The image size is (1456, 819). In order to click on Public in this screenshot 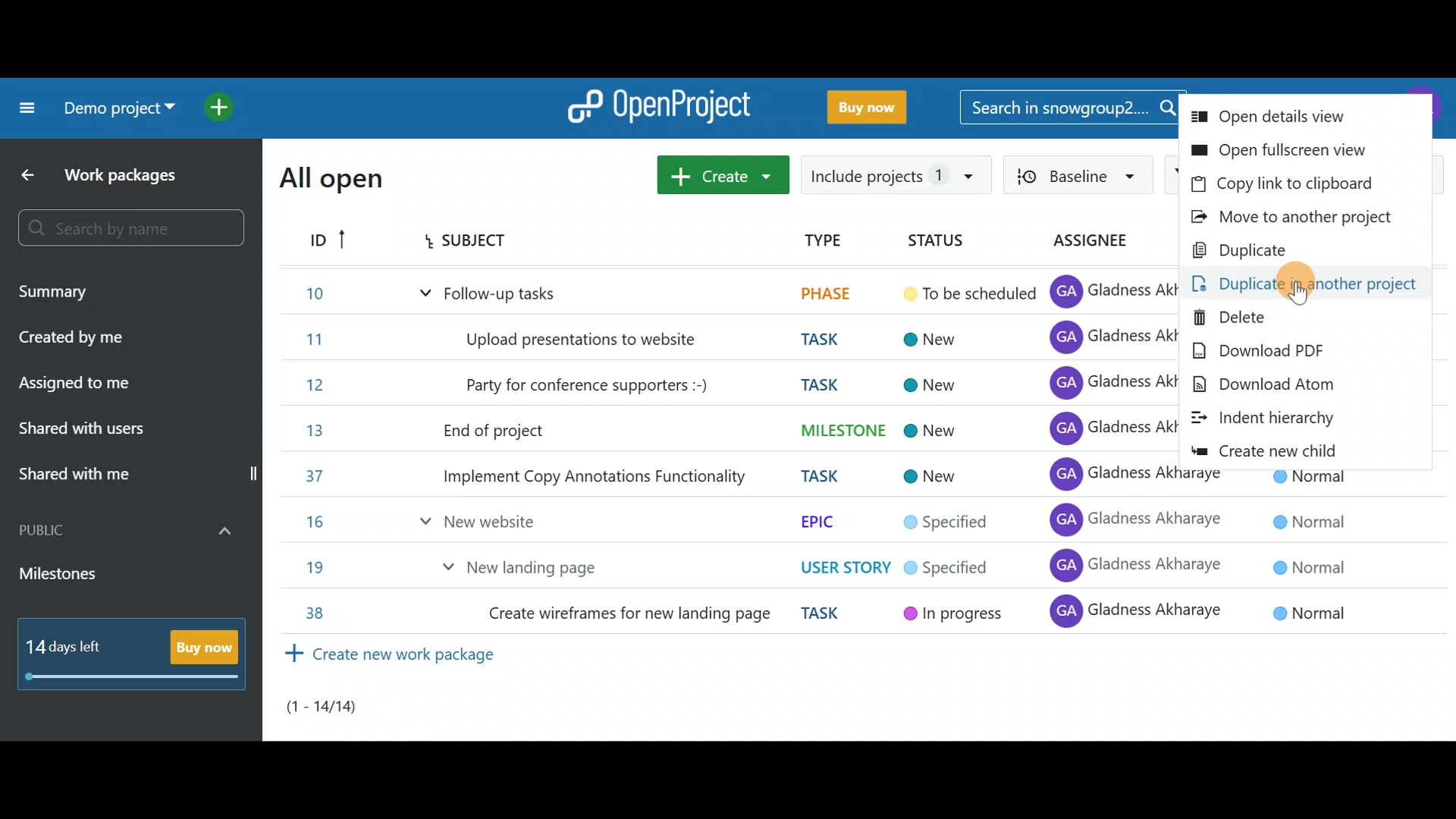, I will do `click(127, 531)`.